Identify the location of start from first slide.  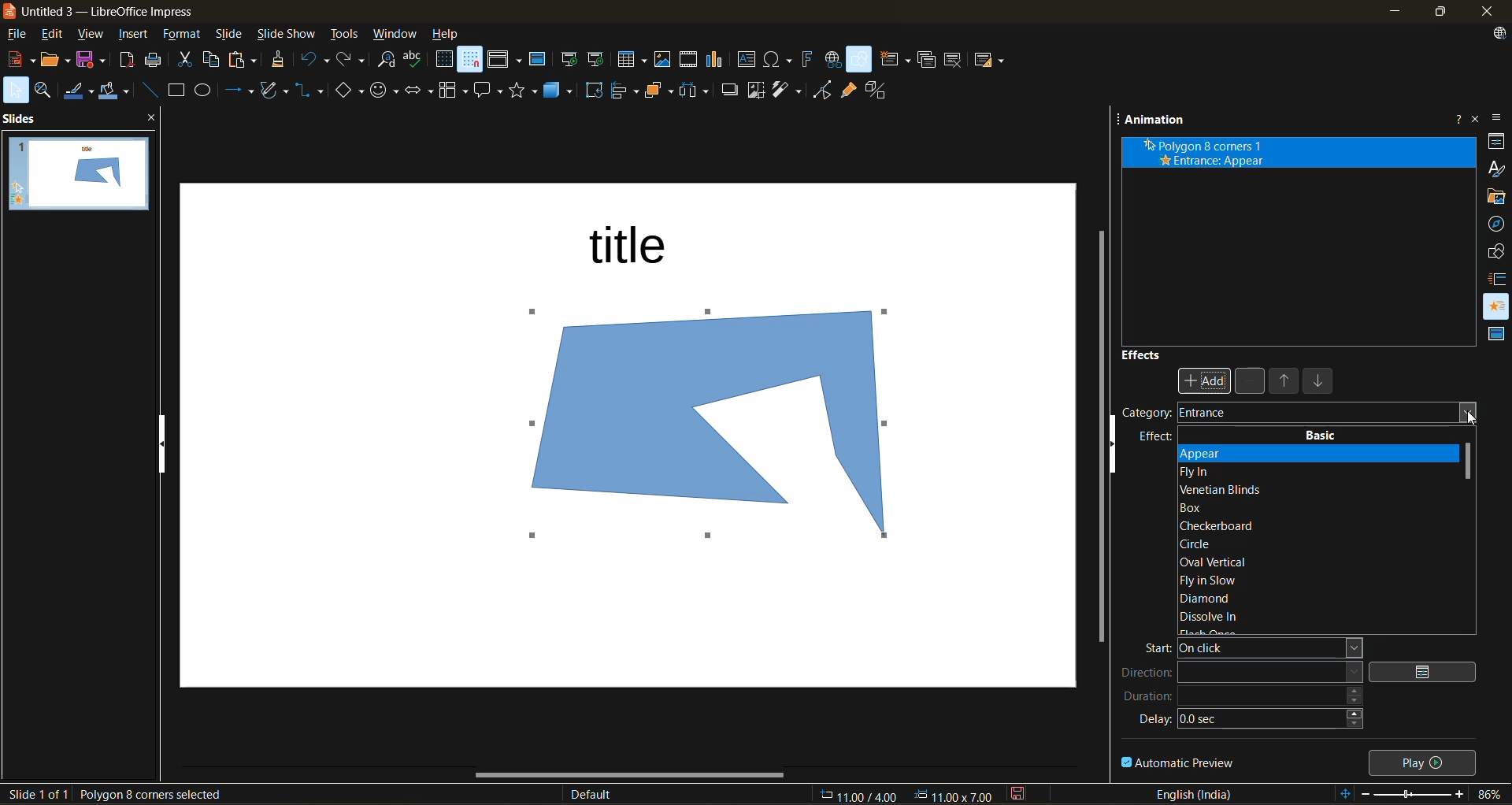
(567, 59).